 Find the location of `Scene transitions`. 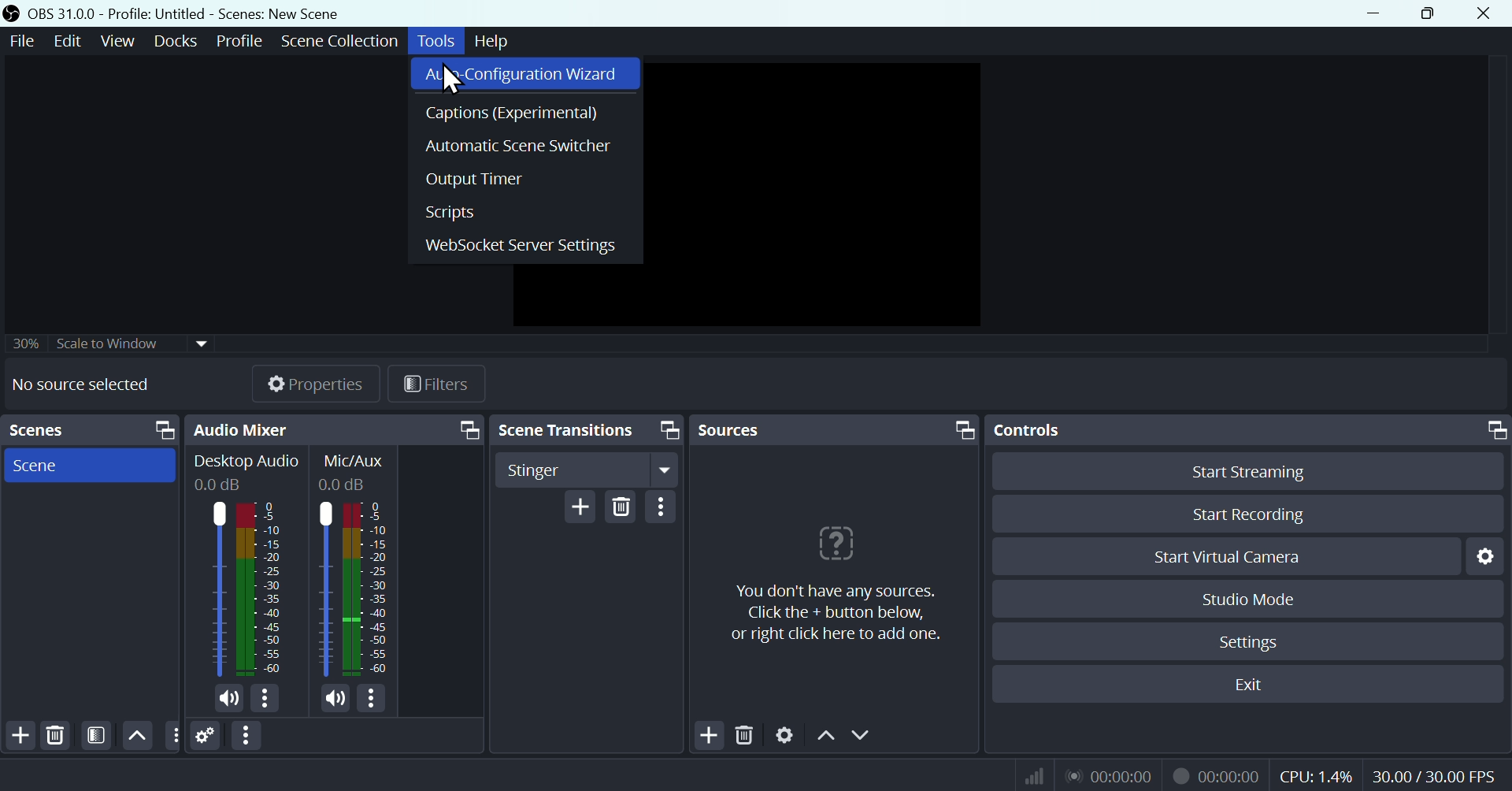

Scene transitions is located at coordinates (566, 429).